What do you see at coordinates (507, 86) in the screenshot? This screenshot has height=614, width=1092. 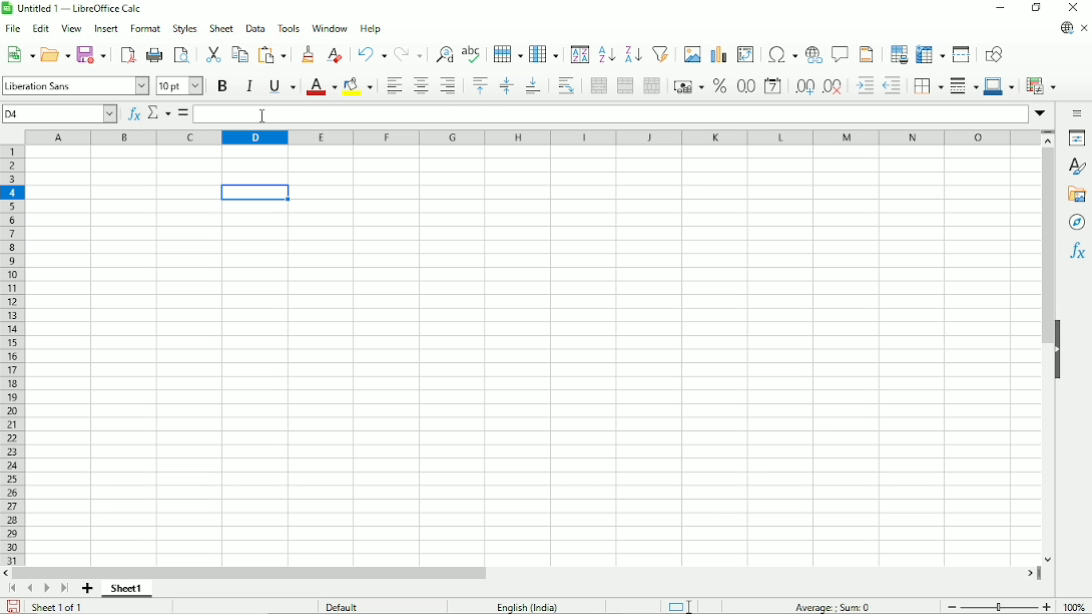 I see `Center vertically` at bounding box center [507, 86].